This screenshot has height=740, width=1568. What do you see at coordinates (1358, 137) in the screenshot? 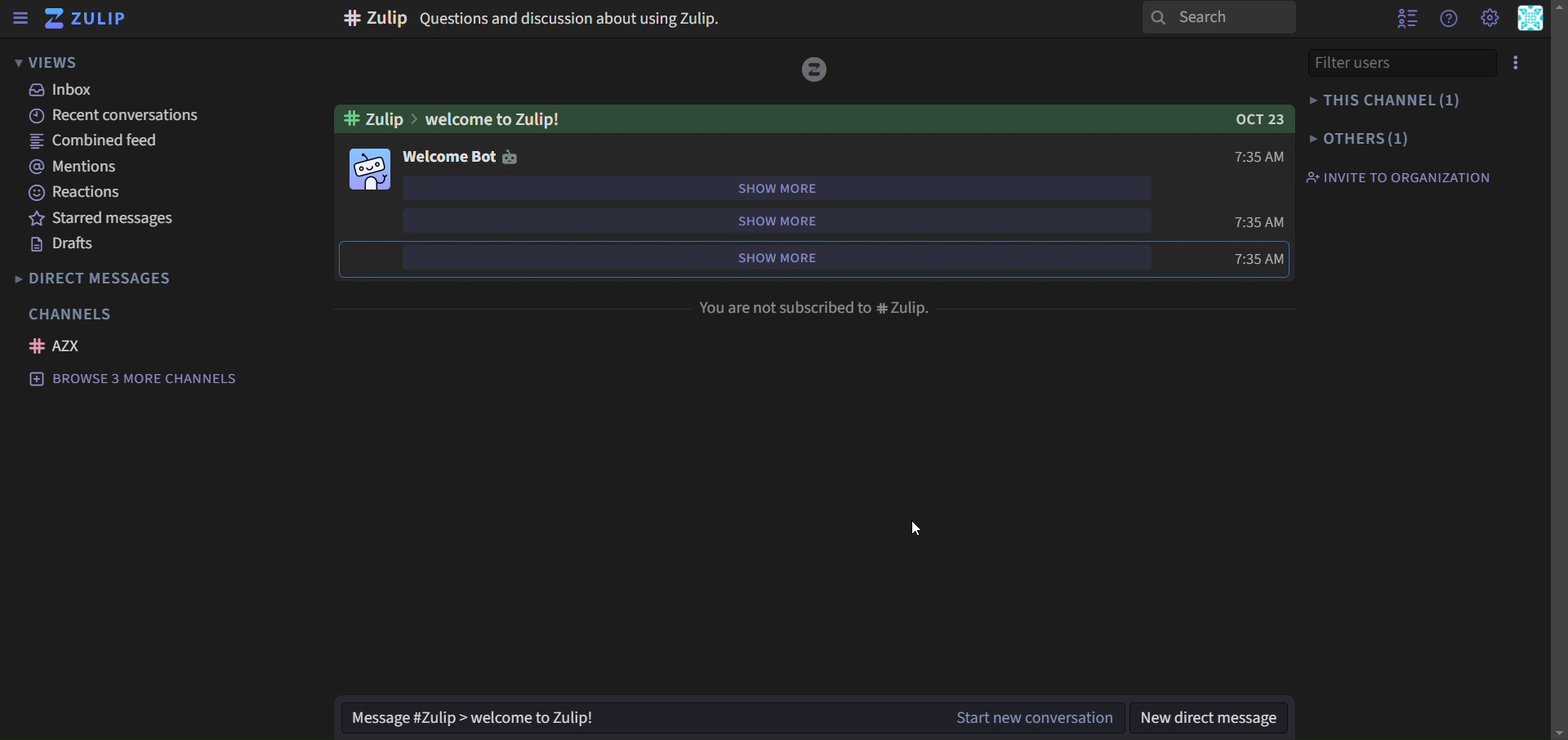
I see `others` at bounding box center [1358, 137].